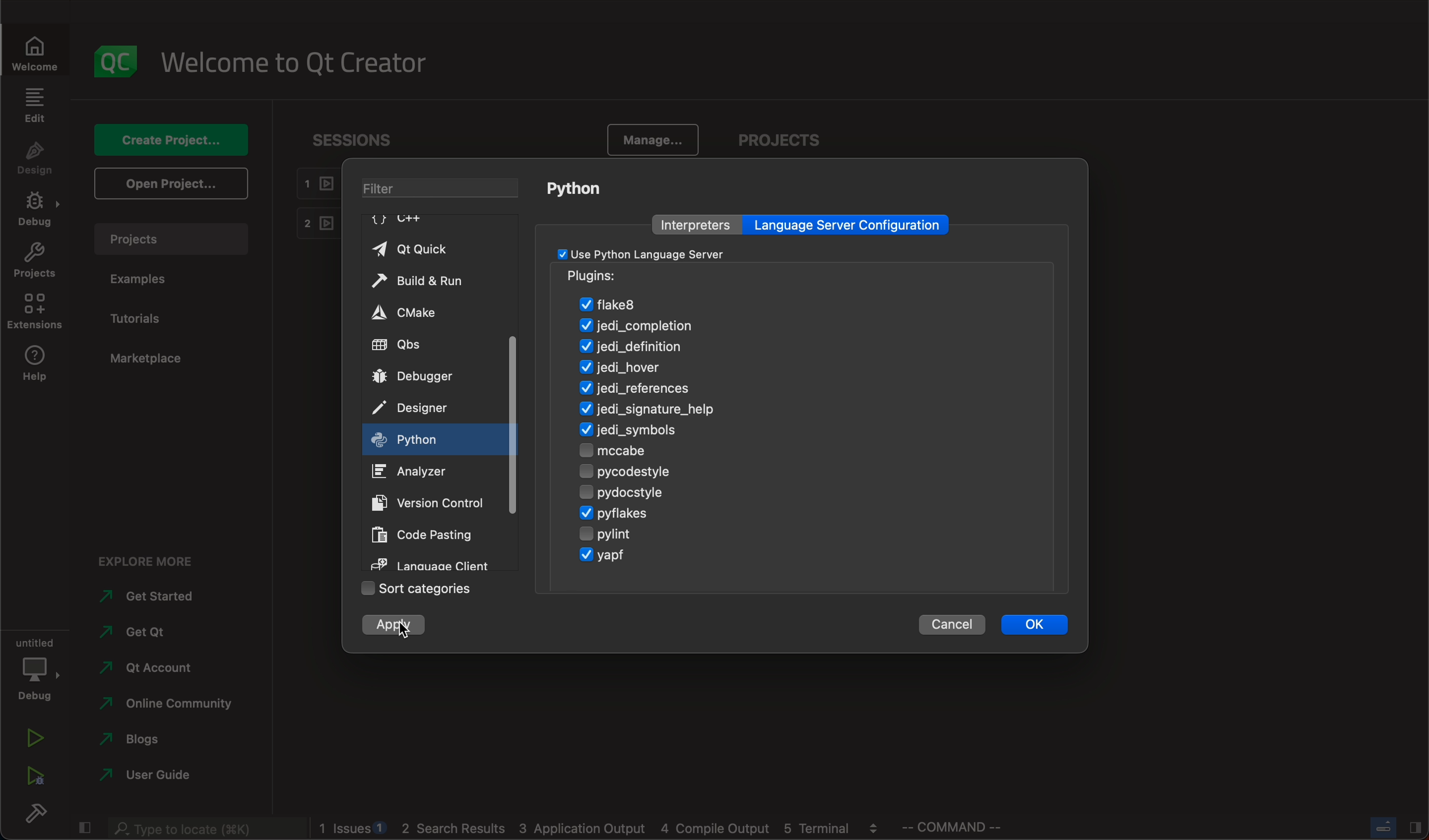  I want to click on jedi, so click(661, 325).